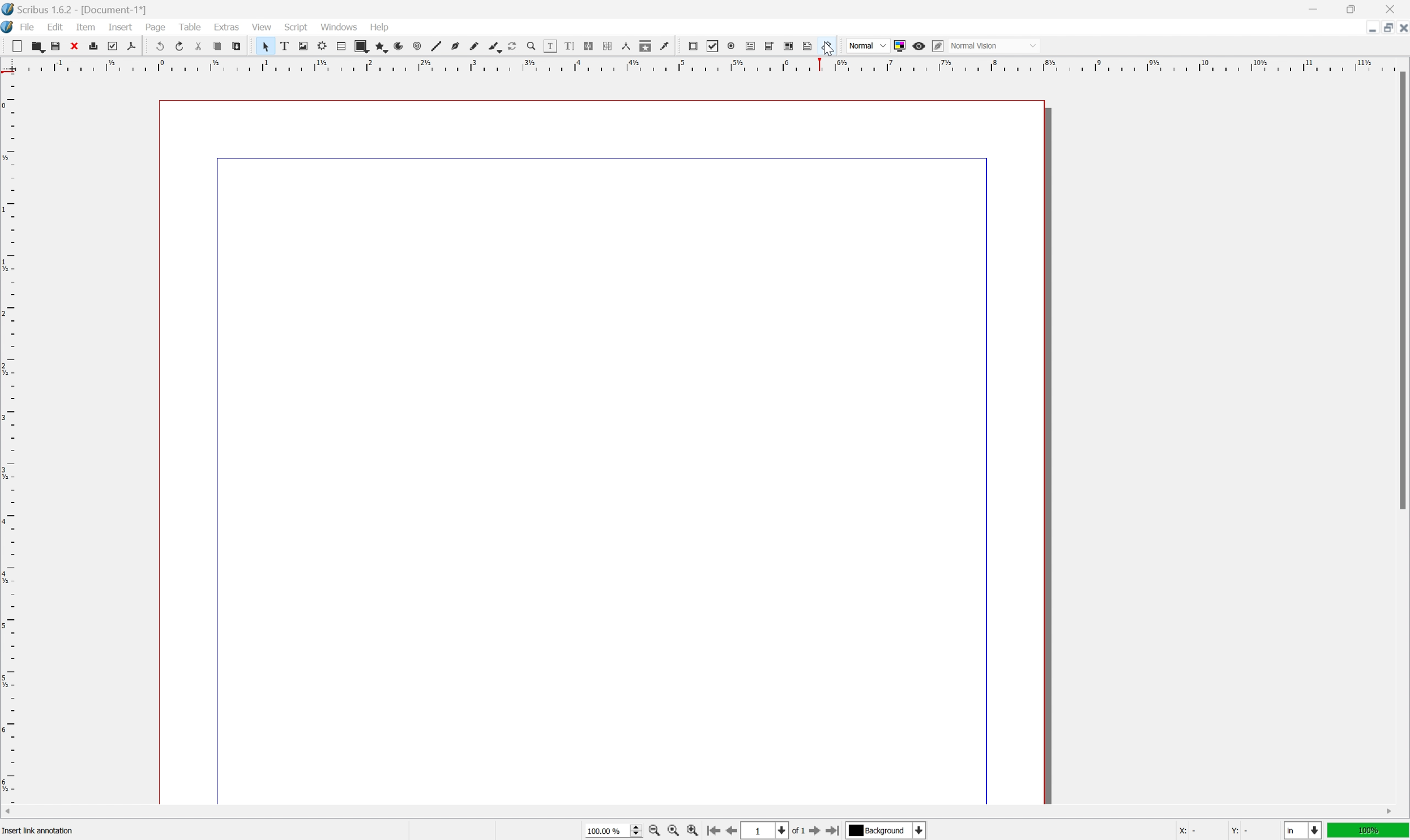 The height and width of the screenshot is (840, 1410). Describe the element at coordinates (770, 46) in the screenshot. I see `pdf combo box` at that location.